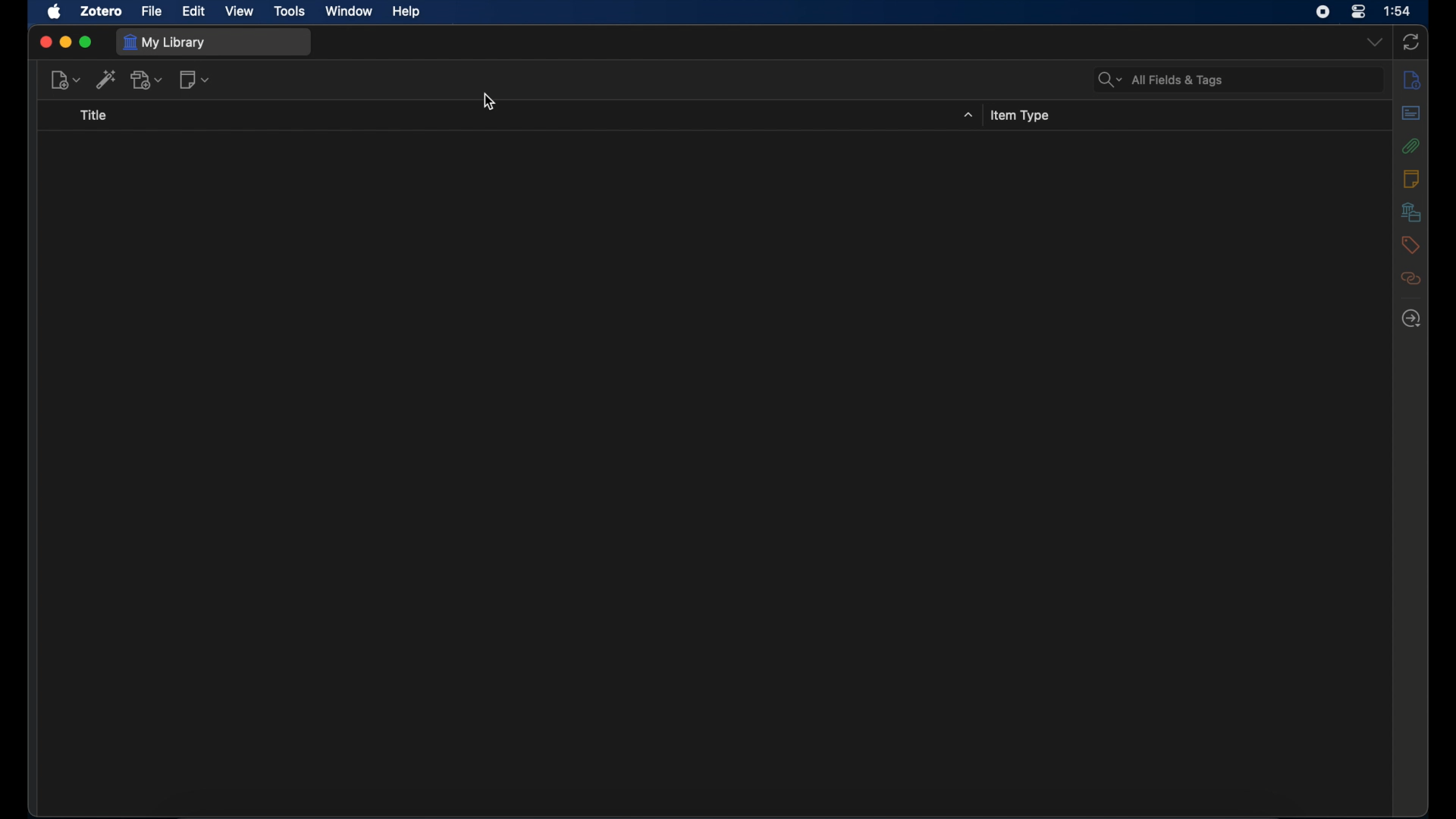 The height and width of the screenshot is (819, 1456). Describe the element at coordinates (86, 42) in the screenshot. I see `maximize` at that location.